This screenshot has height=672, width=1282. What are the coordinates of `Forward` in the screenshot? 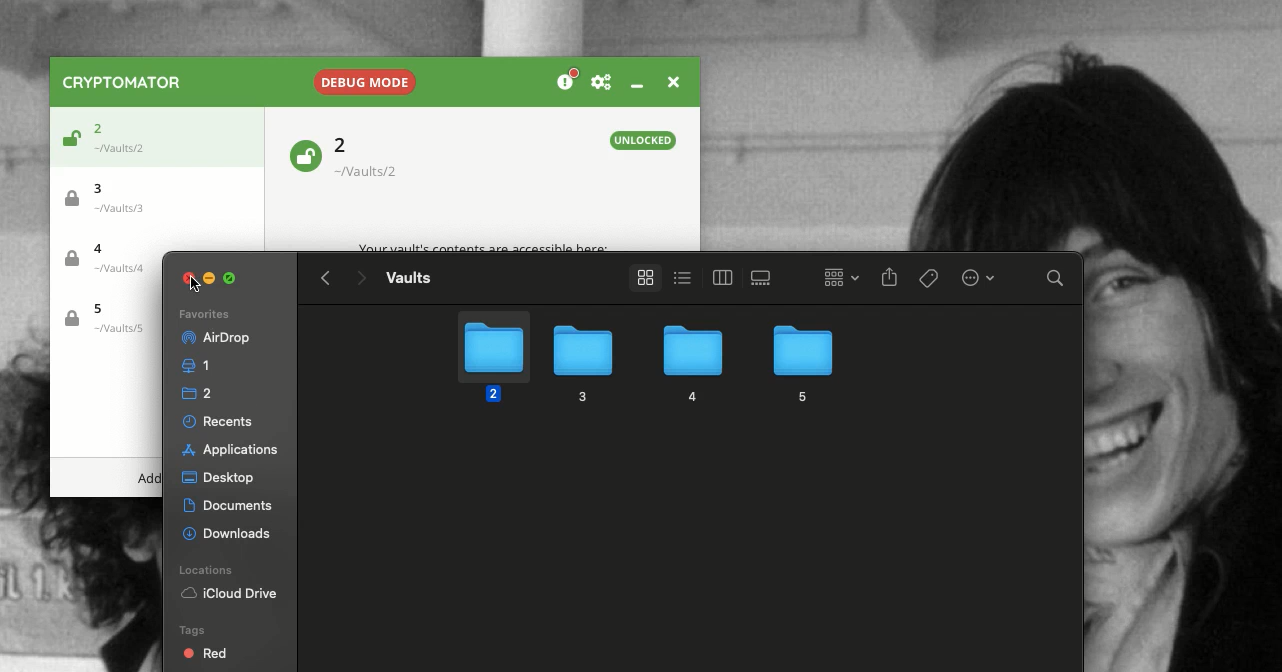 It's located at (360, 280).